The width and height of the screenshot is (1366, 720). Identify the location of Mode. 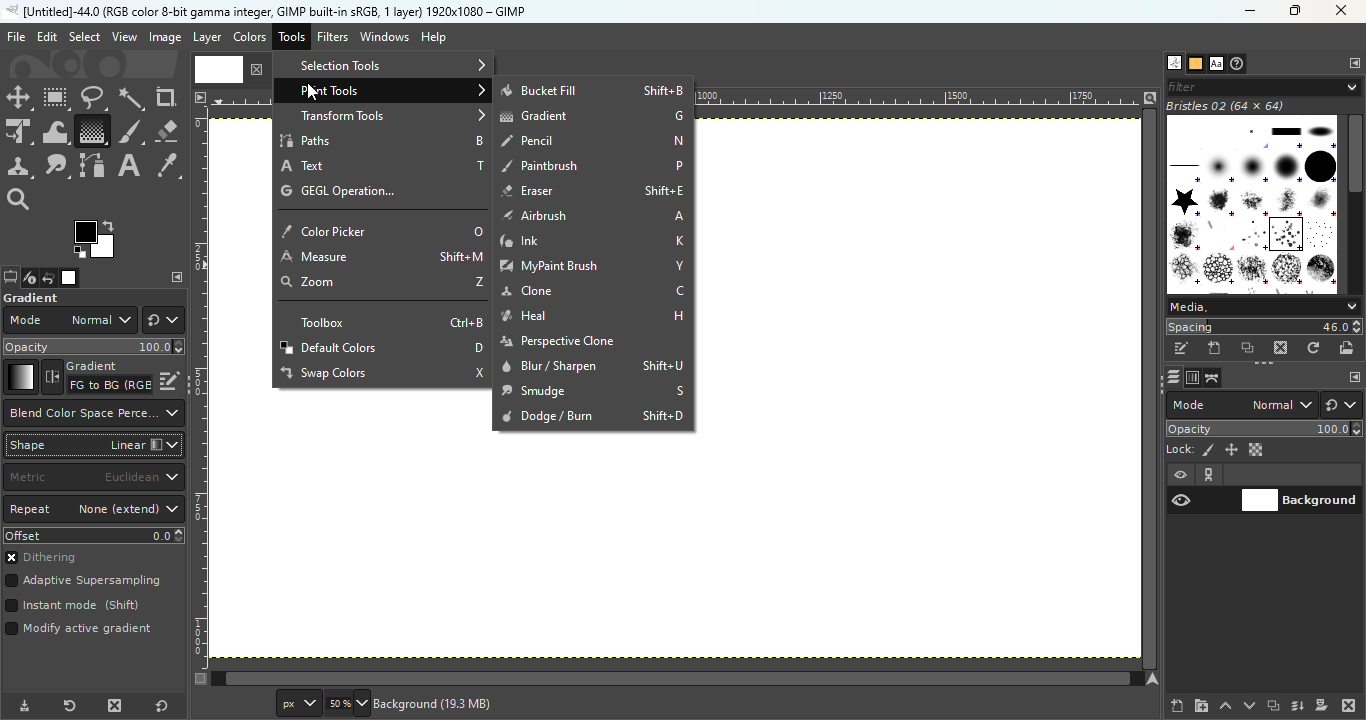
(1242, 405).